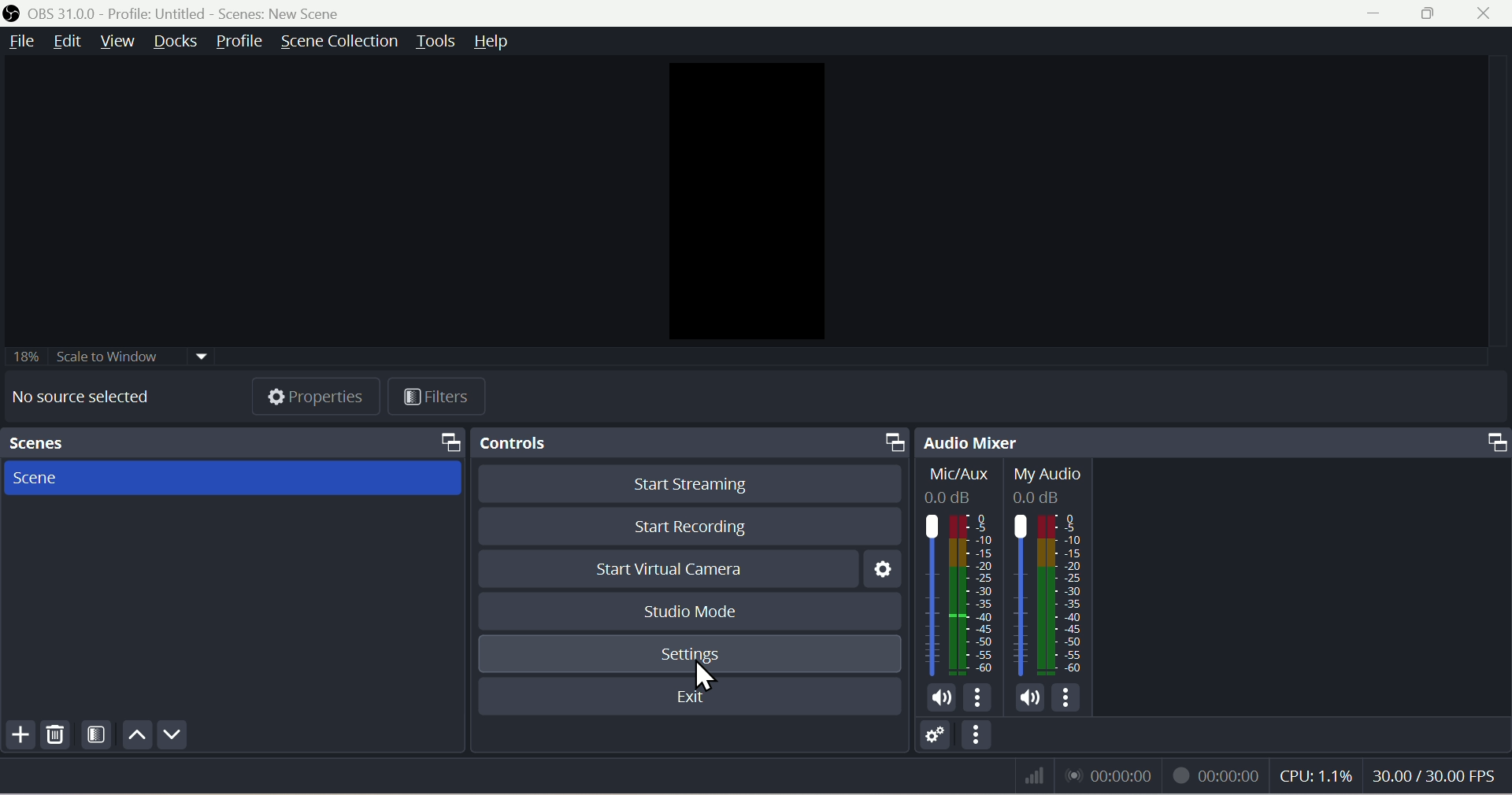  I want to click on Settings, so click(690, 654).